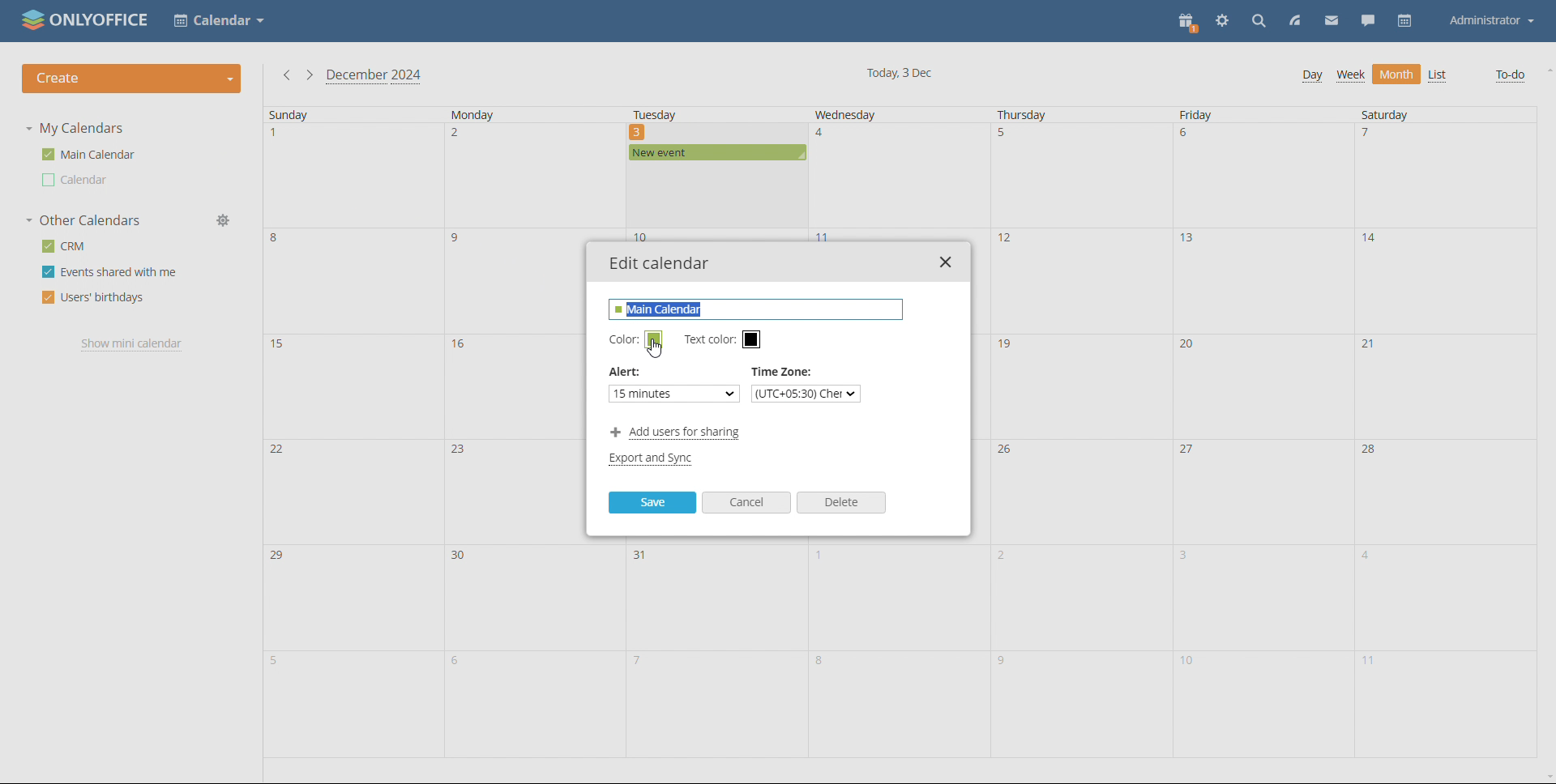 The image size is (1556, 784). What do you see at coordinates (134, 344) in the screenshot?
I see `show mini calendar` at bounding box center [134, 344].